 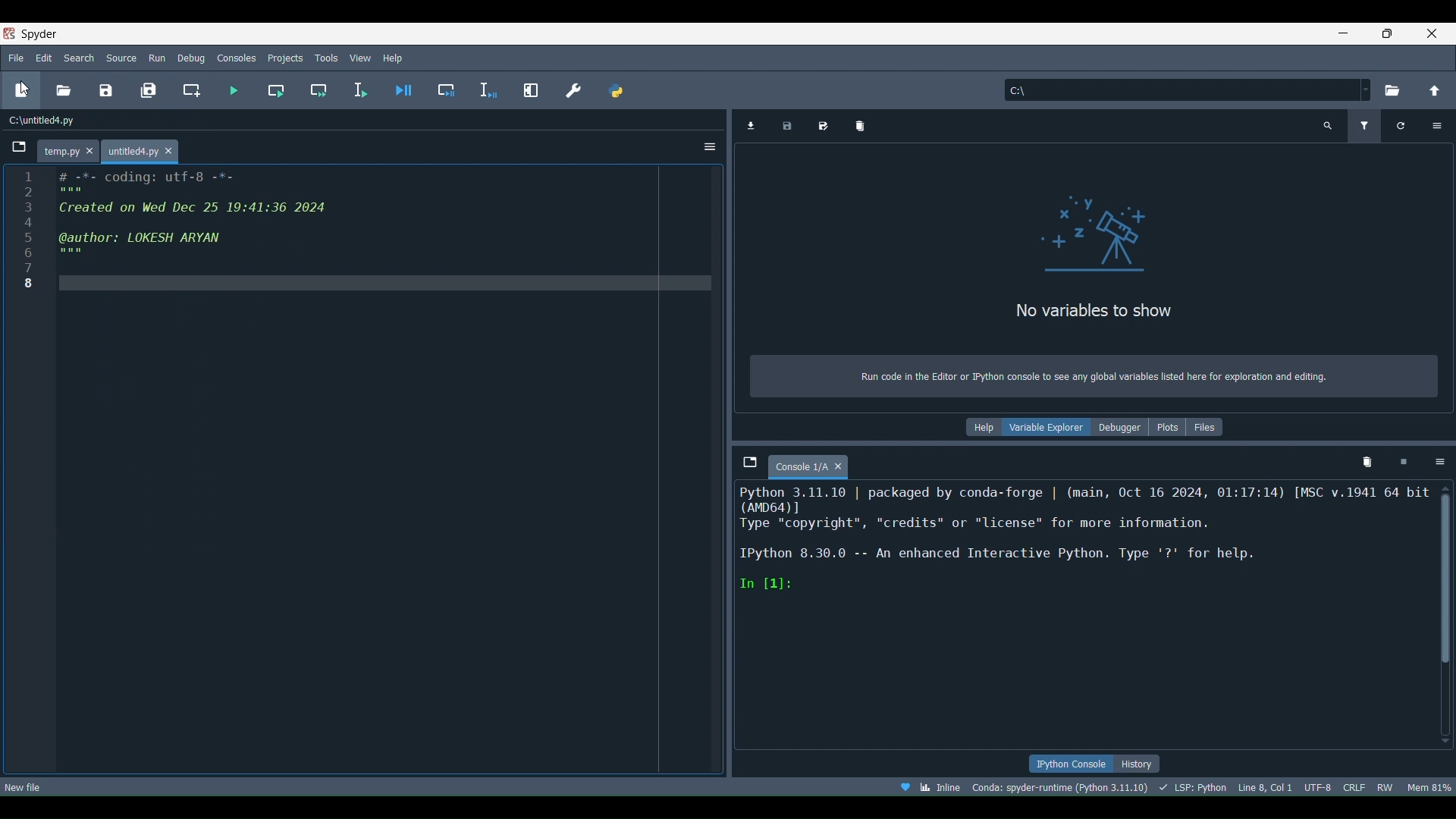 What do you see at coordinates (1266, 787) in the screenshot?
I see `Cursor position` at bounding box center [1266, 787].